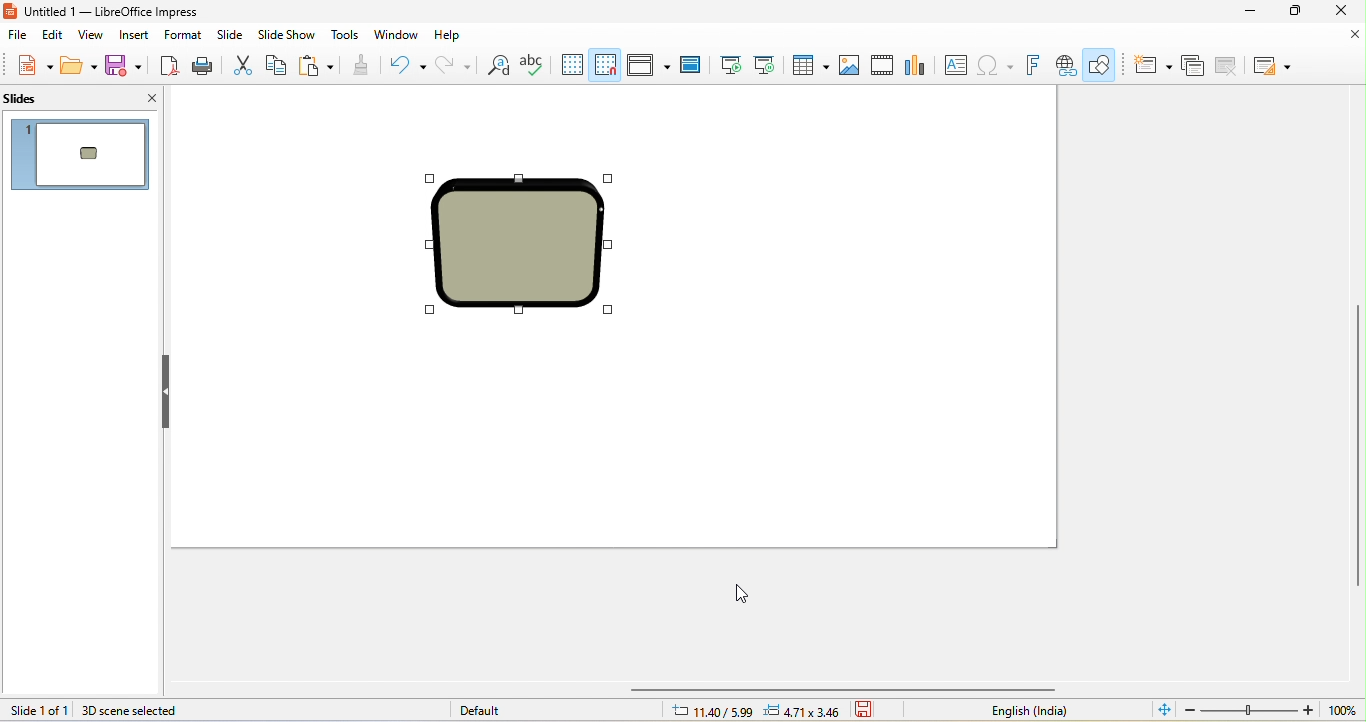 The width and height of the screenshot is (1366, 722). I want to click on vertical scroll bar, so click(1357, 447).